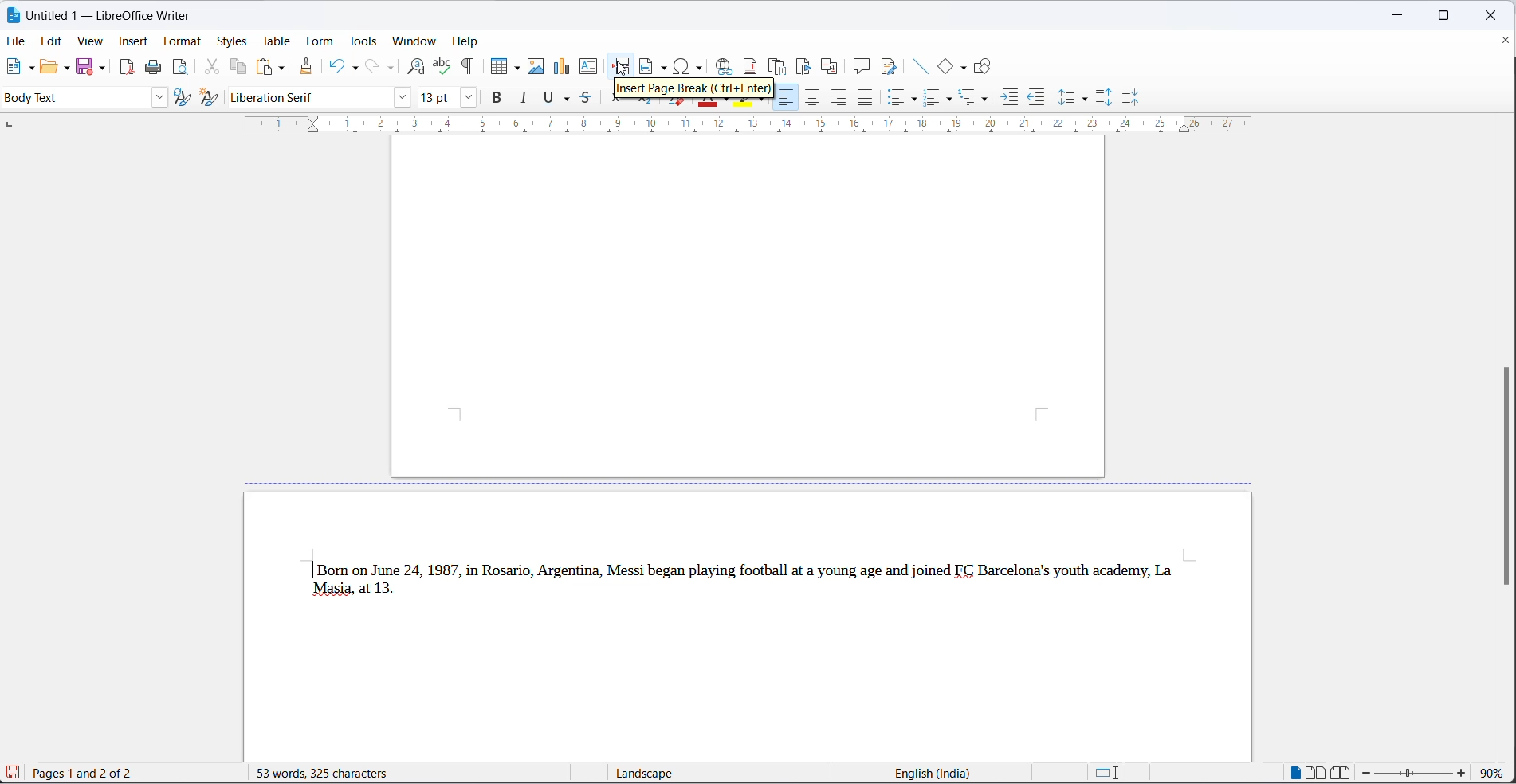  Describe the element at coordinates (739, 576) in the screenshot. I see `| Born on June 24, 1987, in Rosario, Argentina, Messi began playing football at a young age and joined EC Barcelona's youth academy, La
Masia, at 13.` at that location.